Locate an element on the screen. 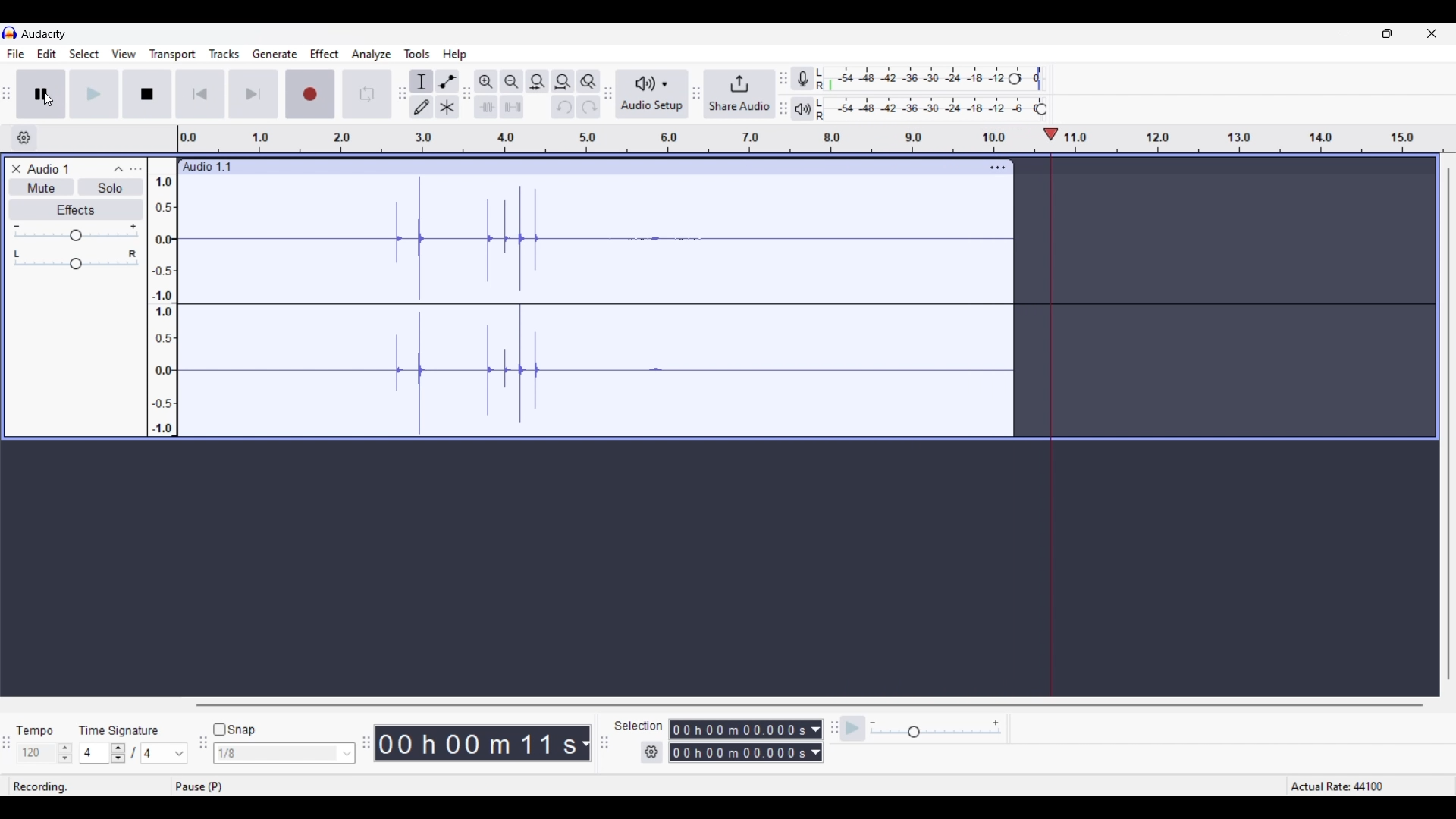 The image size is (1456, 819). Selection settings is located at coordinates (652, 753).